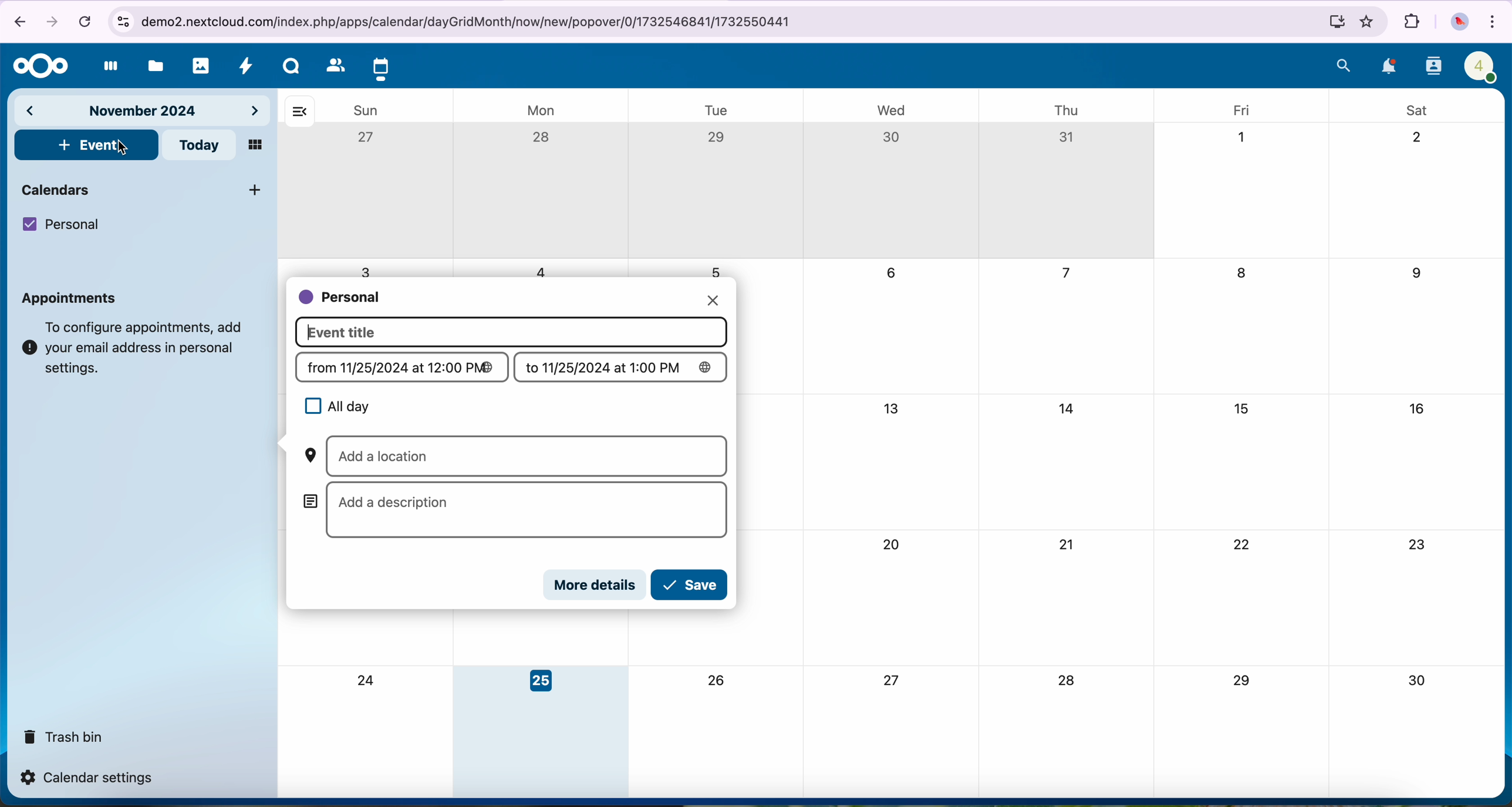 This screenshot has width=1512, height=807. What do you see at coordinates (718, 139) in the screenshot?
I see `29` at bounding box center [718, 139].